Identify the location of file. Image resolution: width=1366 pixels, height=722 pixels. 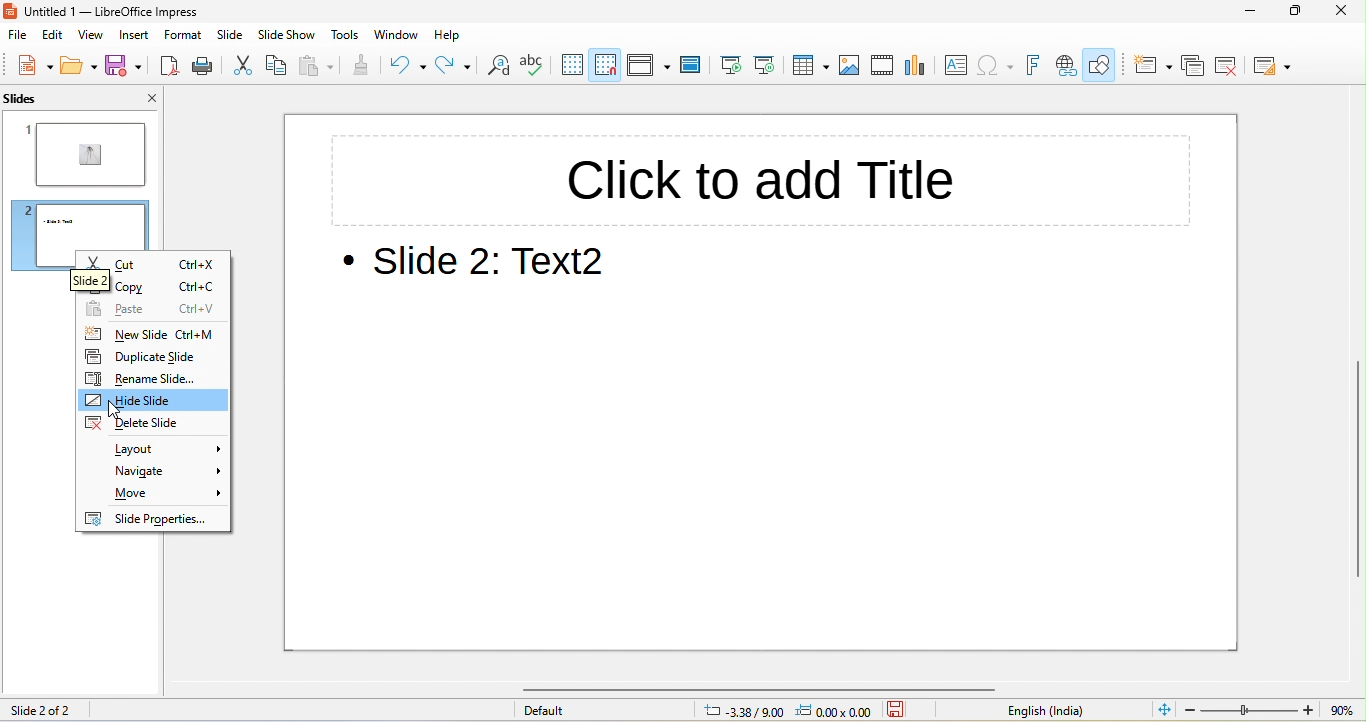
(16, 36).